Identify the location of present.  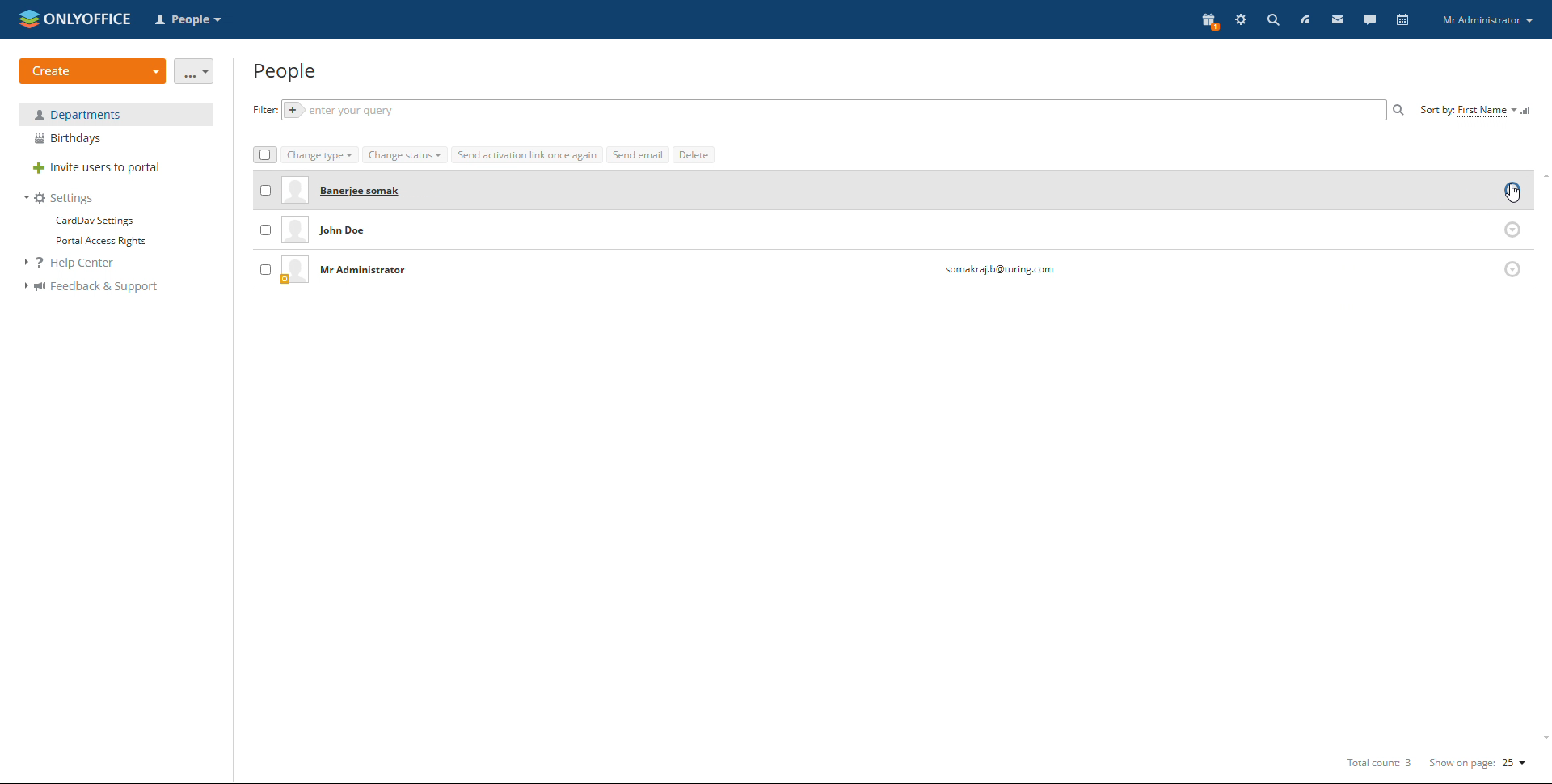
(1208, 22).